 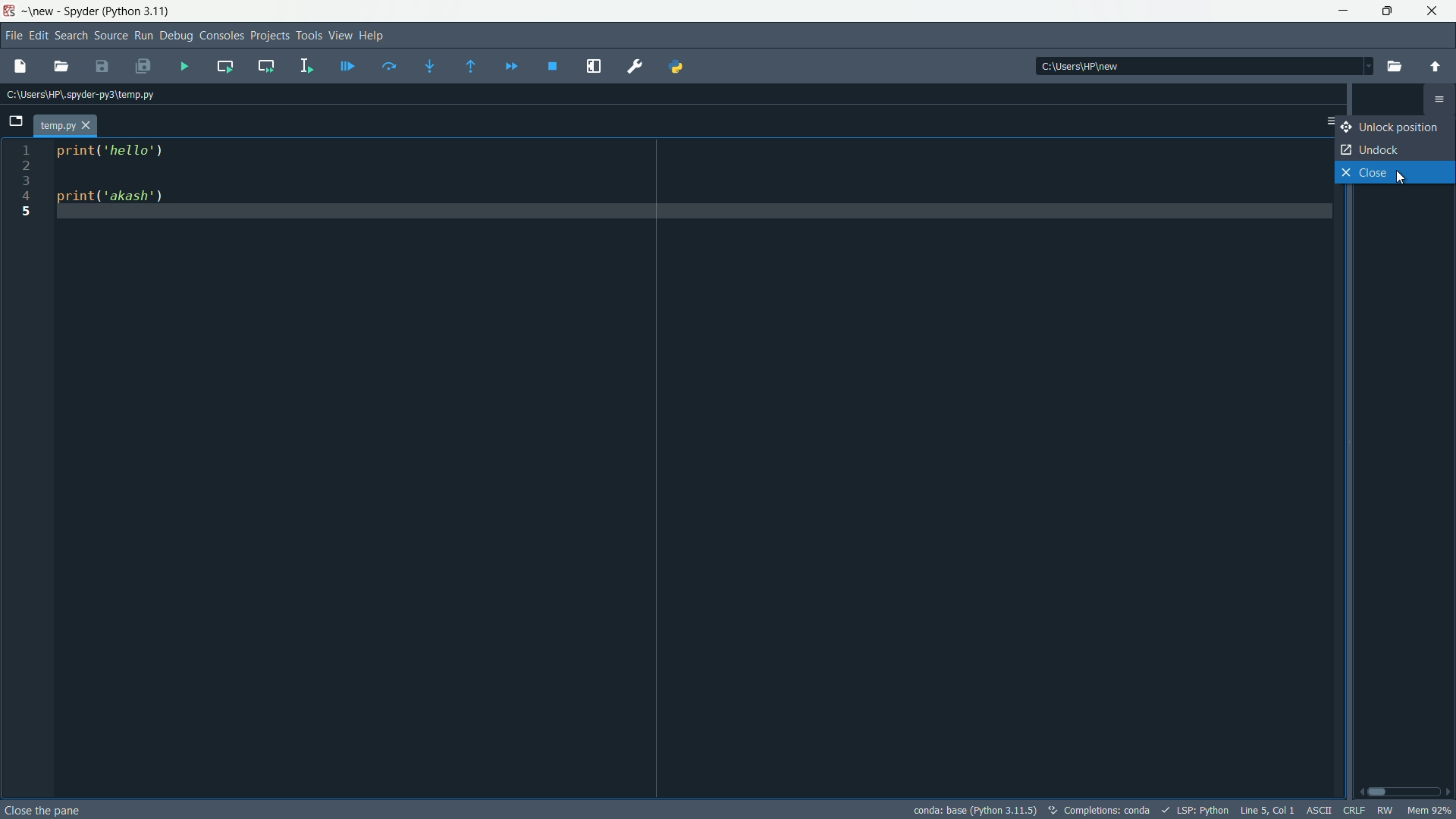 What do you see at coordinates (676, 65) in the screenshot?
I see `python path manager` at bounding box center [676, 65].